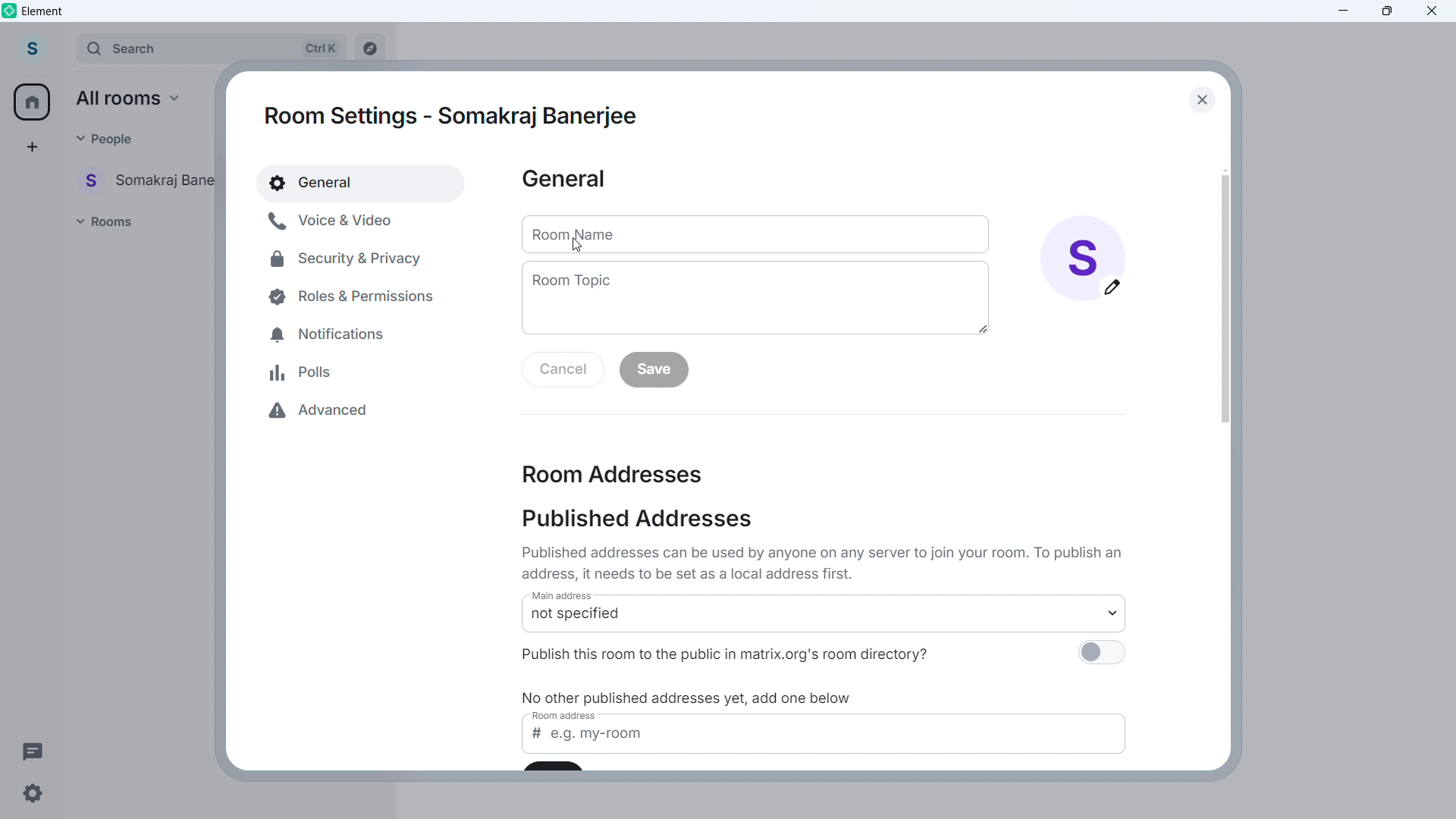 Image resolution: width=1456 pixels, height=819 pixels. Describe the element at coordinates (42, 11) in the screenshot. I see `element` at that location.